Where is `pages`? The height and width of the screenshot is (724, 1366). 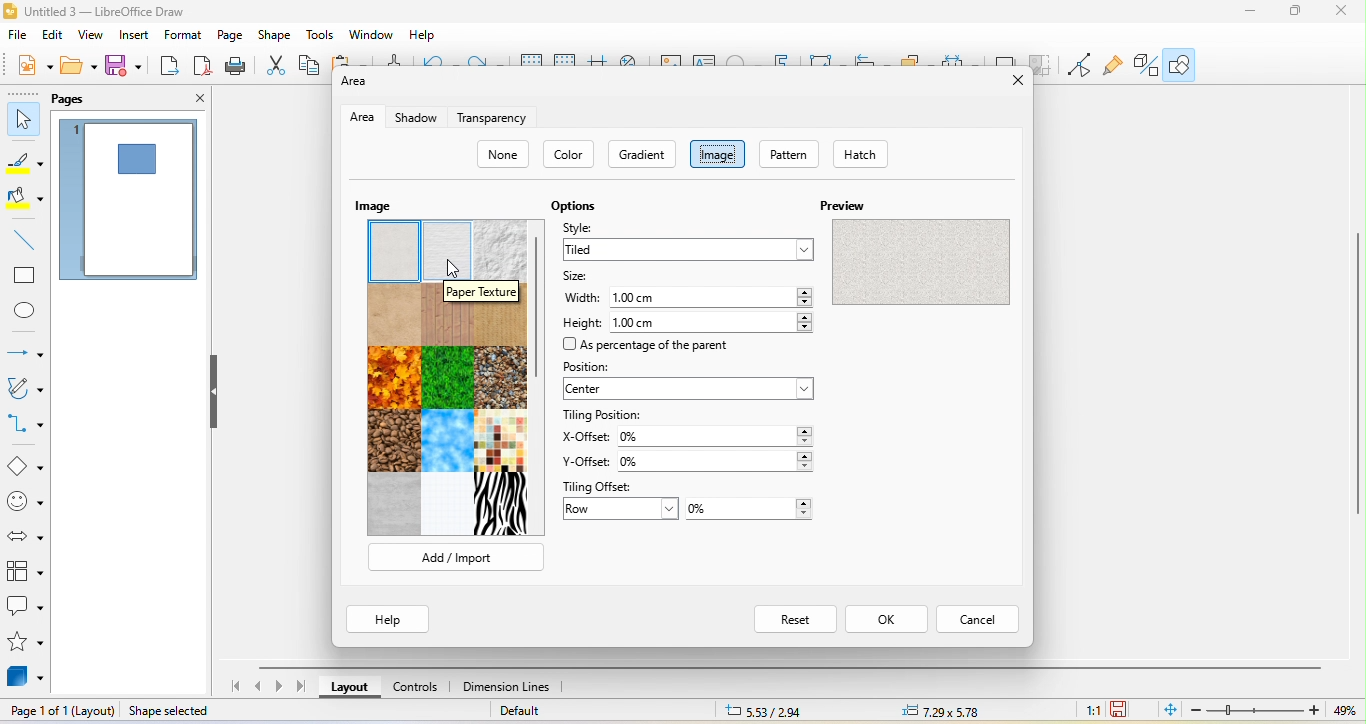 pages is located at coordinates (78, 100).